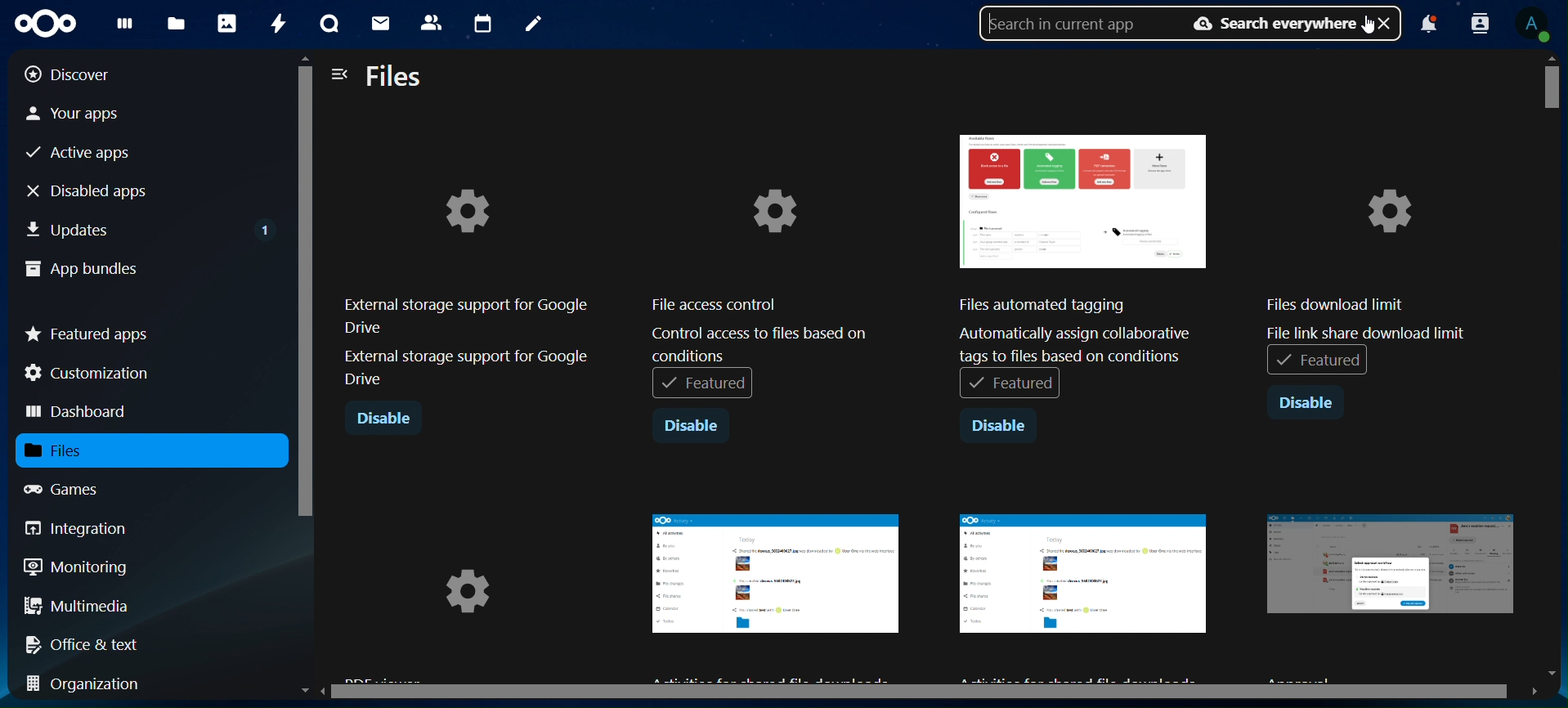 This screenshot has height=708, width=1568. What do you see at coordinates (691, 428) in the screenshot?
I see `disable` at bounding box center [691, 428].